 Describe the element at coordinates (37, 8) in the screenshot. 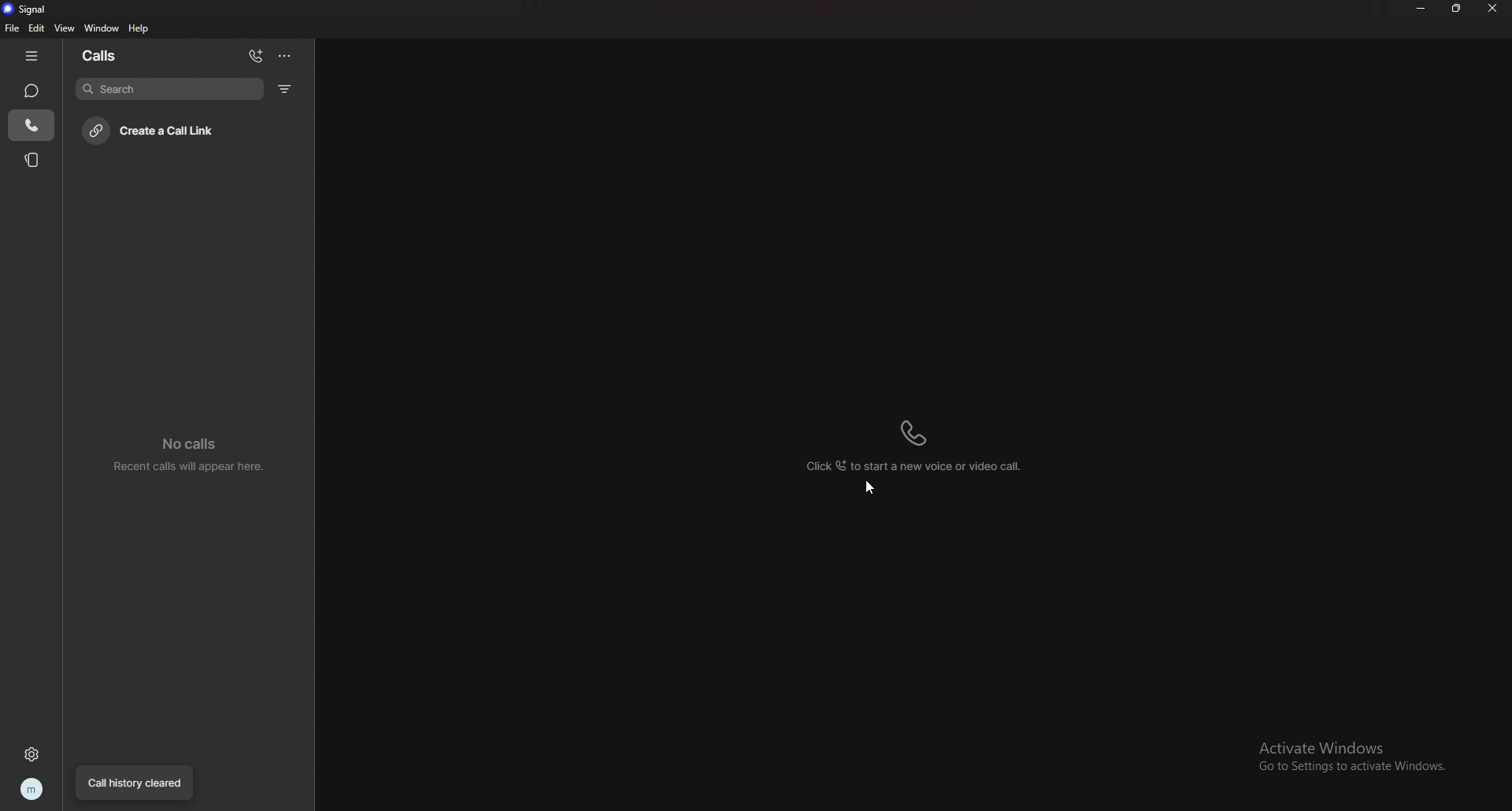

I see `signal` at that location.